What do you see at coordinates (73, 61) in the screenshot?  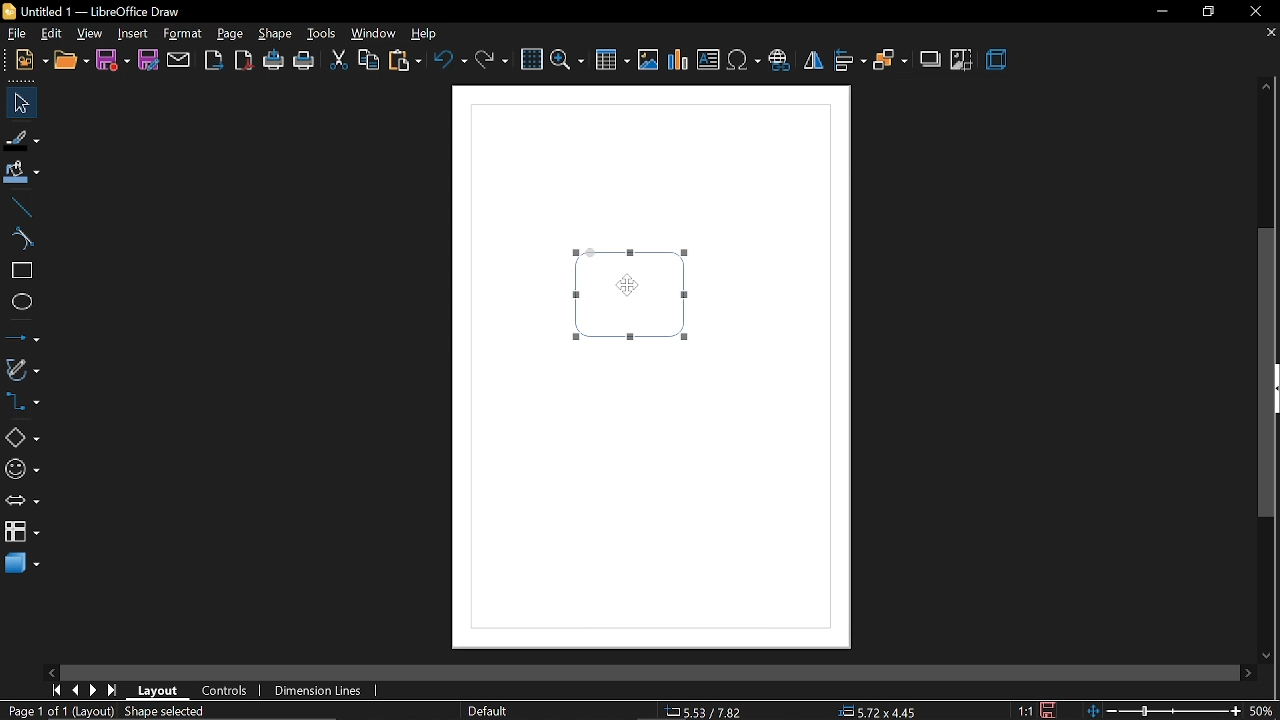 I see `open` at bounding box center [73, 61].